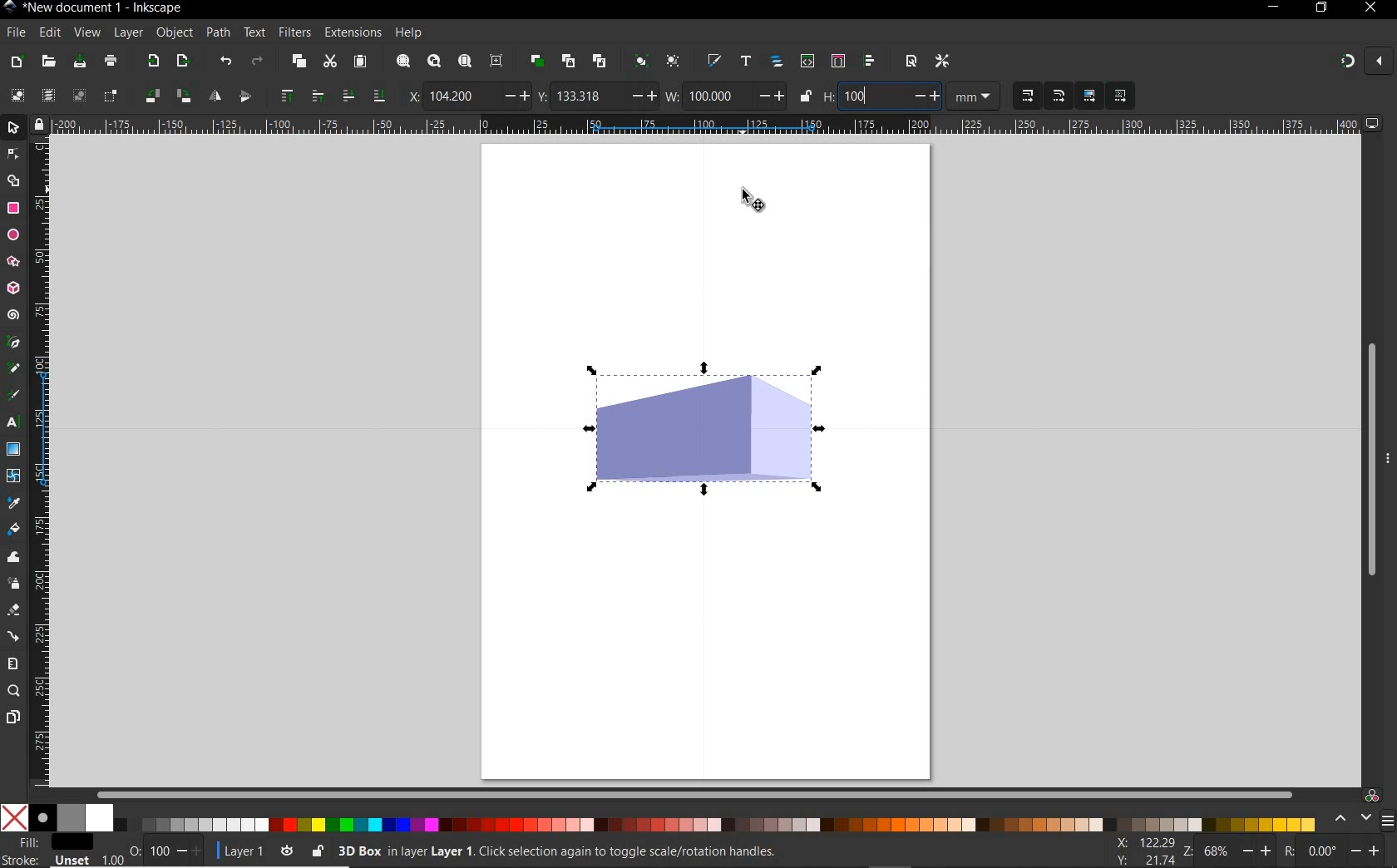  Describe the element at coordinates (347, 96) in the screenshot. I see `lower selection` at that location.